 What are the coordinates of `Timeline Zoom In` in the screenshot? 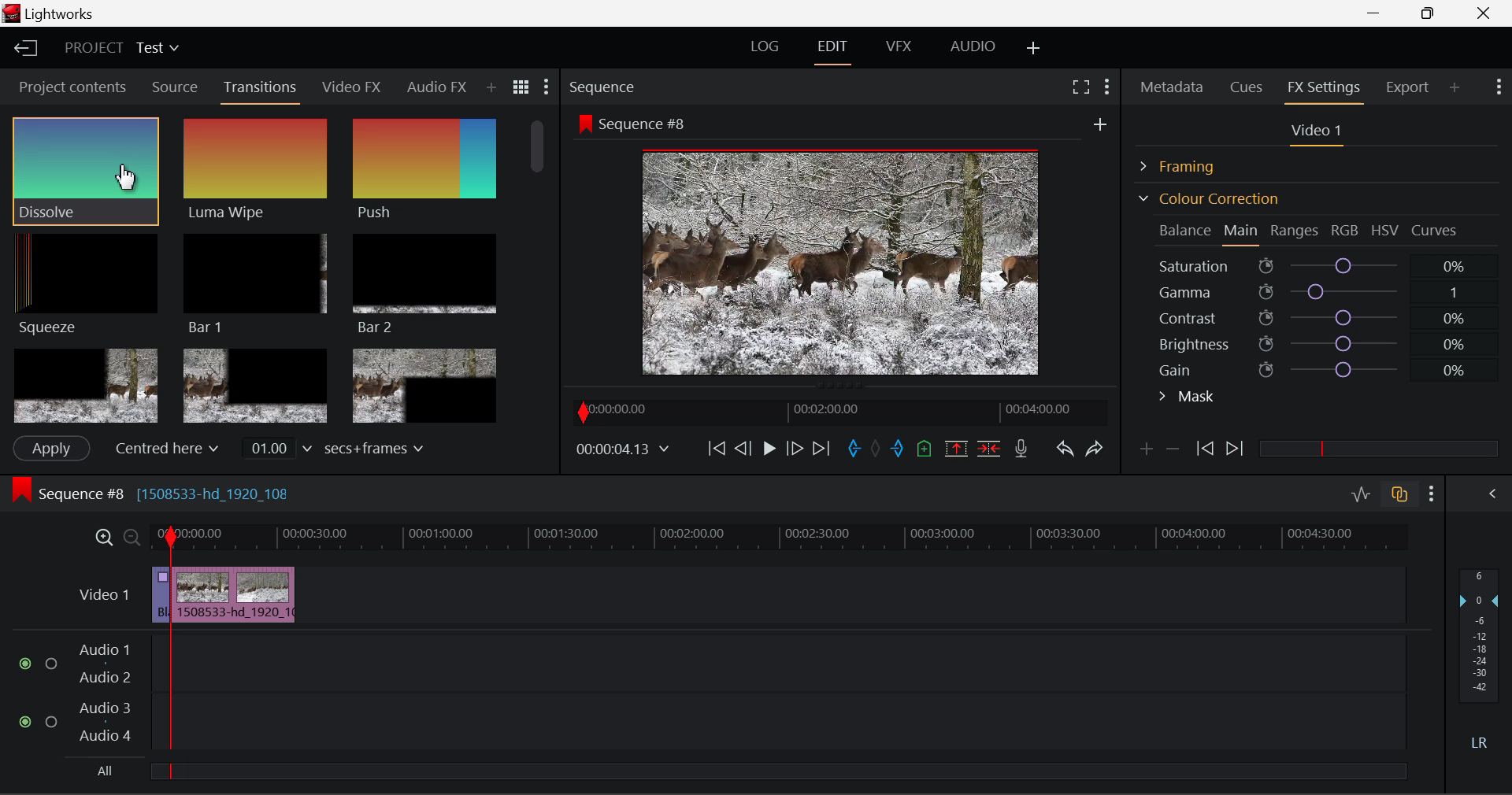 It's located at (101, 537).